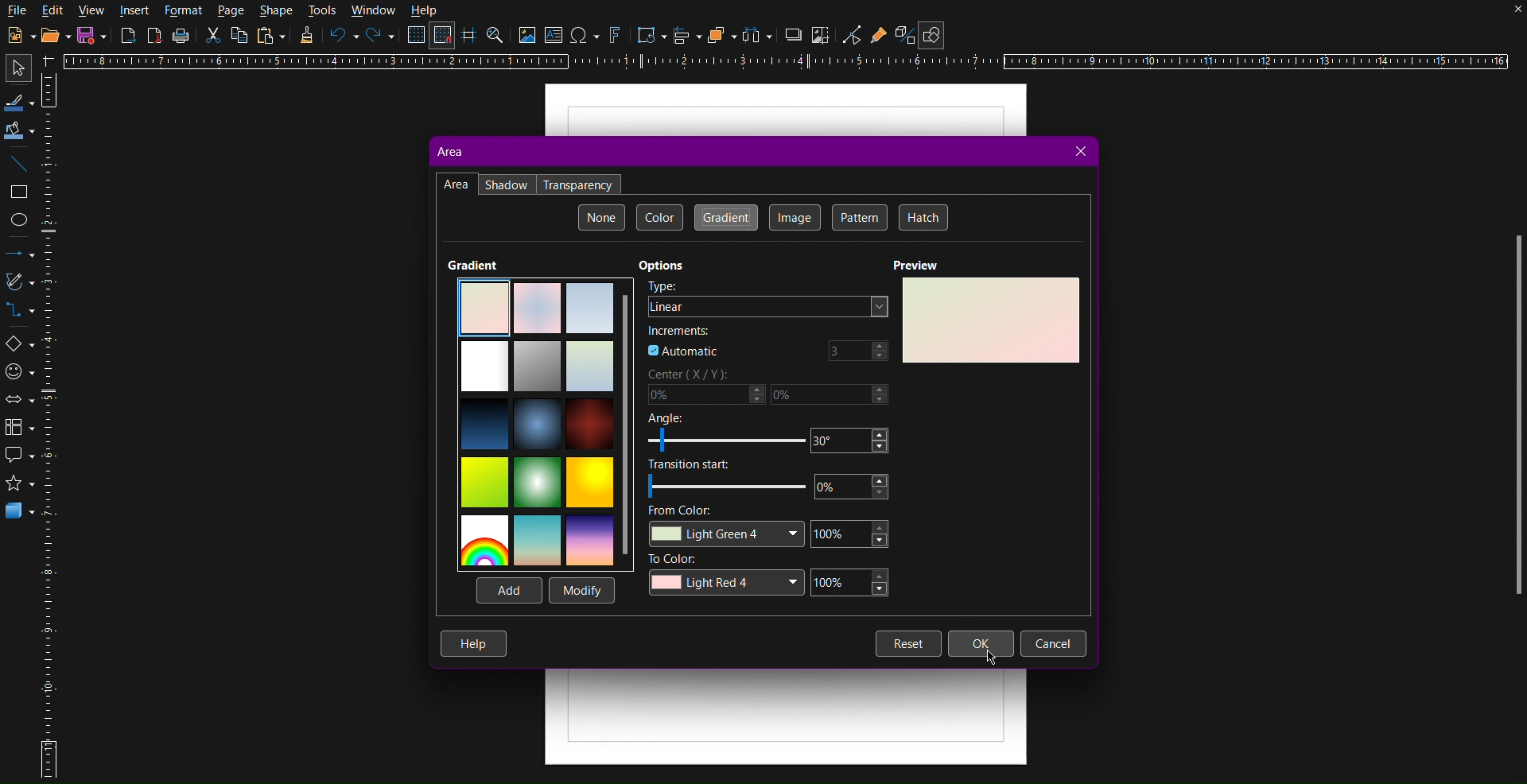  What do you see at coordinates (991, 321) in the screenshot?
I see `Preview Color` at bounding box center [991, 321].